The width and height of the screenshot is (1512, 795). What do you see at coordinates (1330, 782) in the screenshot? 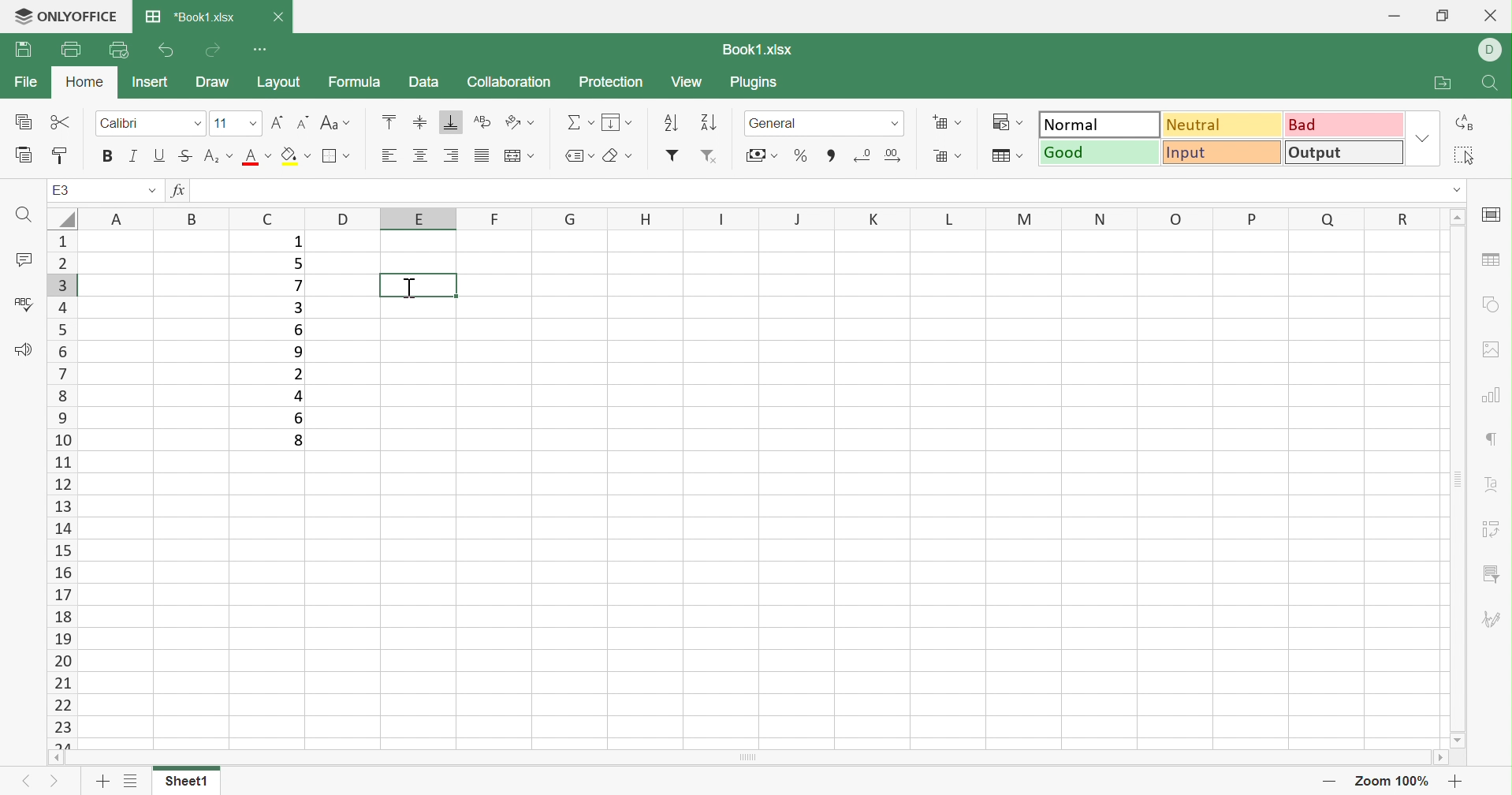
I see `Zoom out` at bounding box center [1330, 782].